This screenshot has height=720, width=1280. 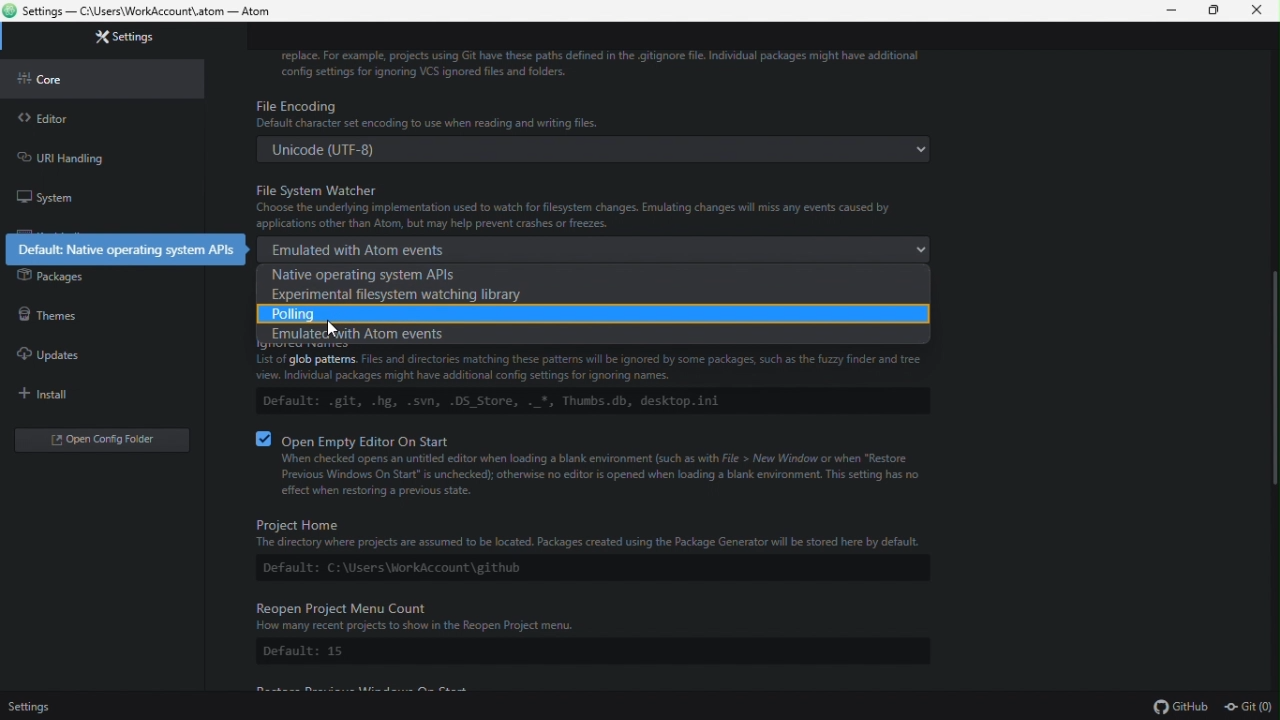 I want to click on B Oven Empty Editor On Start, so click(x=352, y=436).